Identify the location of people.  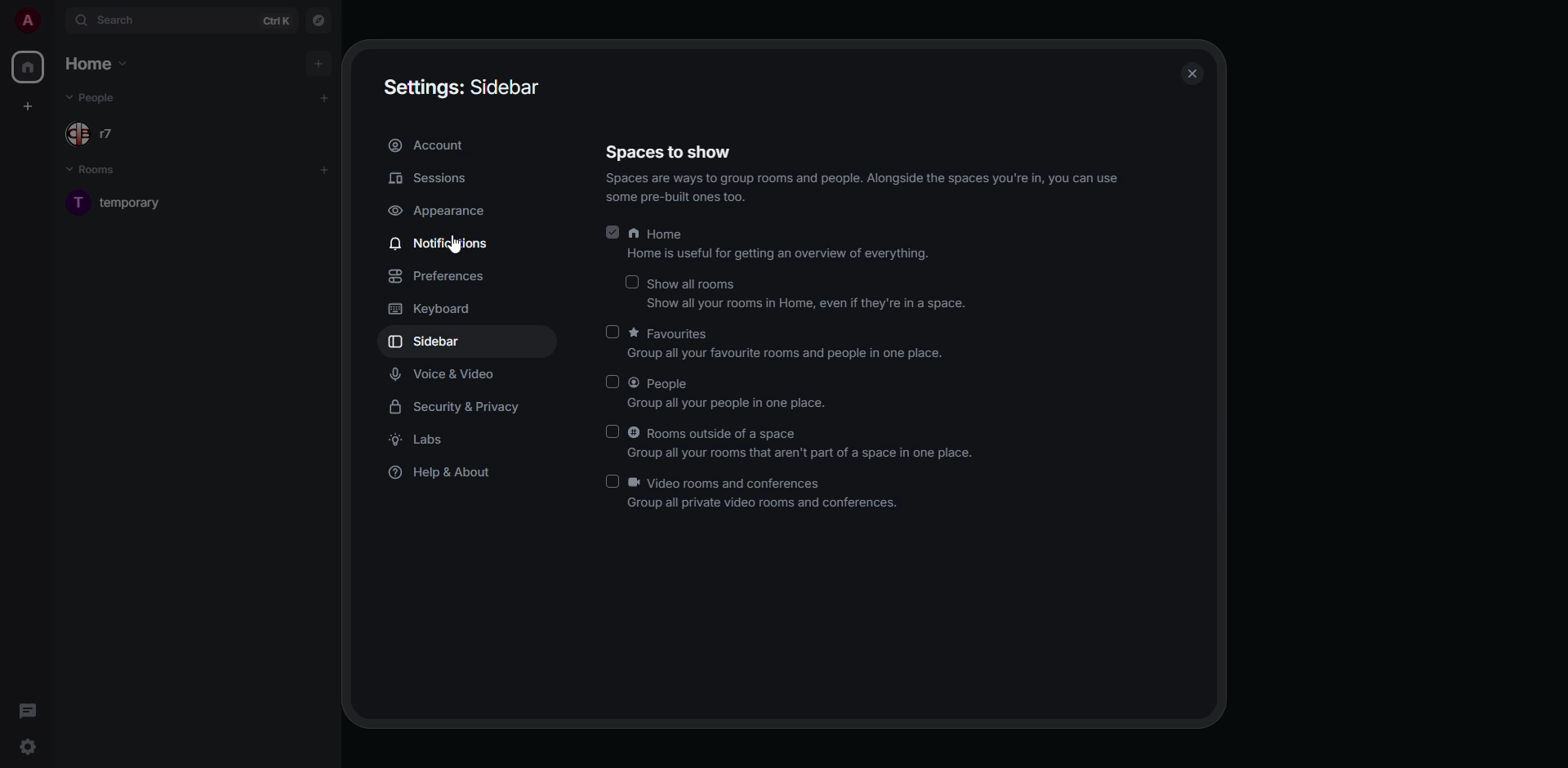
(98, 98).